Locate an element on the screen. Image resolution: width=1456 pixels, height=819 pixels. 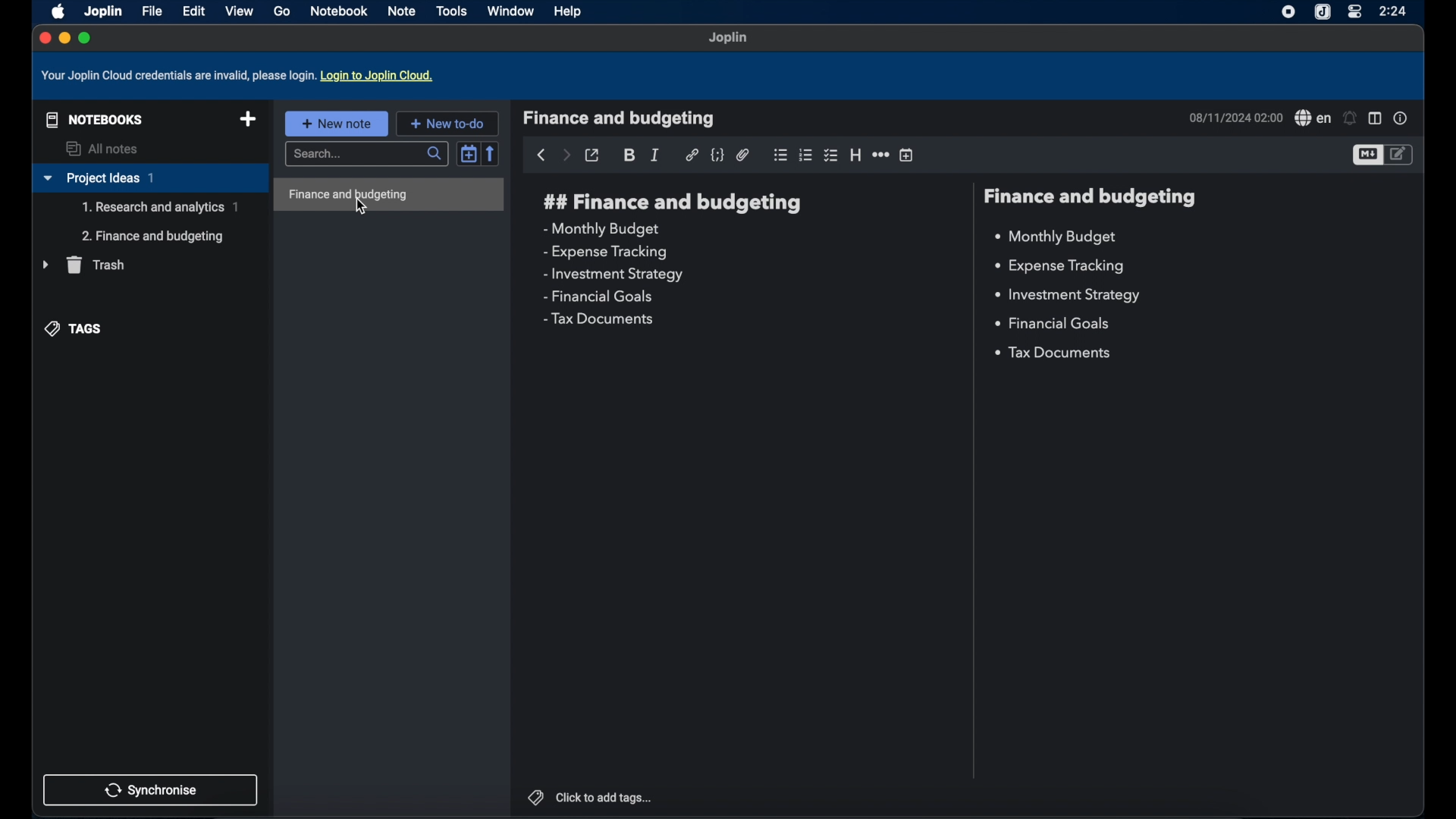
numbered list is located at coordinates (806, 155).